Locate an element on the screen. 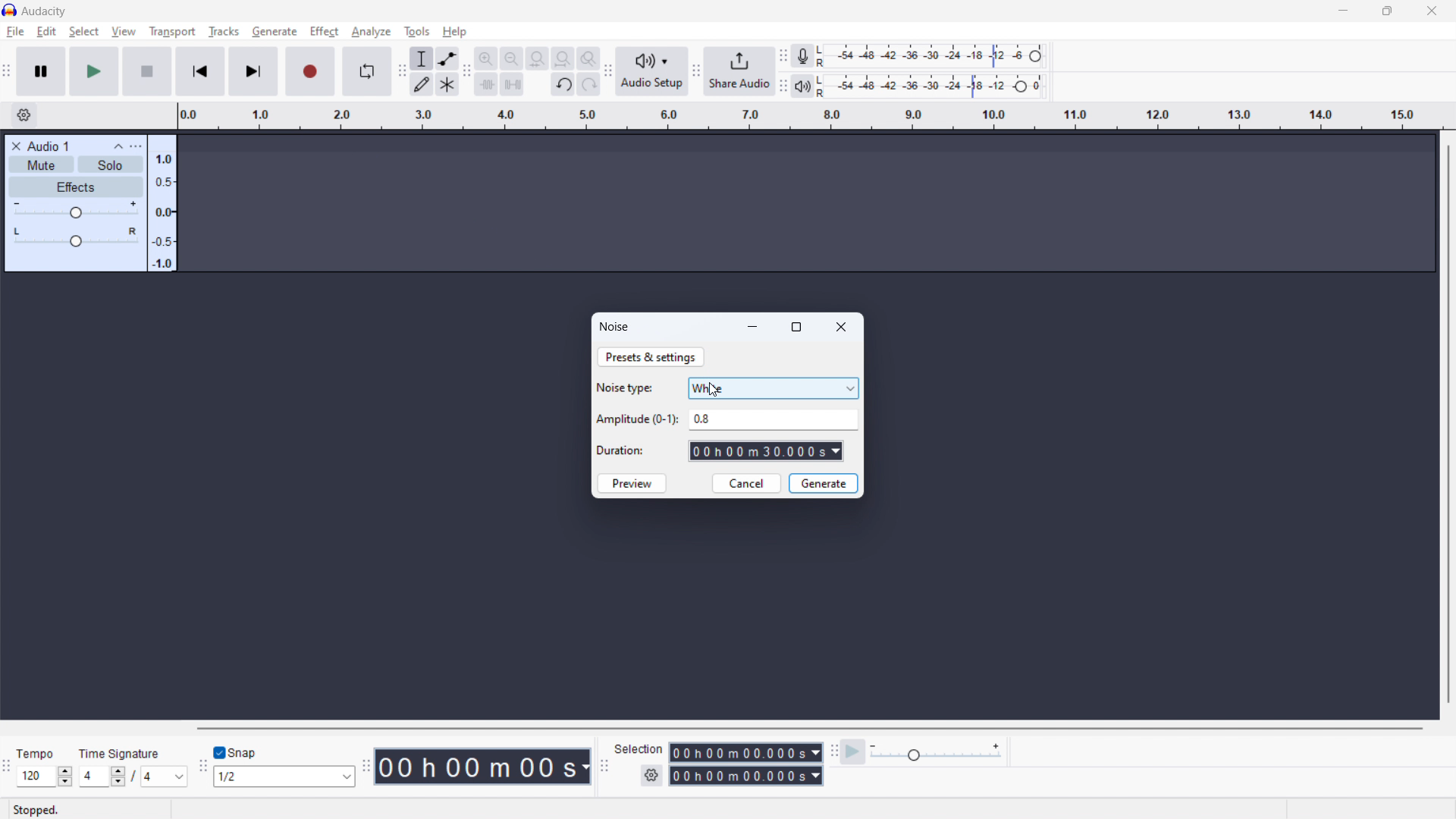 The width and height of the screenshot is (1456, 819). Amplitude is located at coordinates (637, 419).